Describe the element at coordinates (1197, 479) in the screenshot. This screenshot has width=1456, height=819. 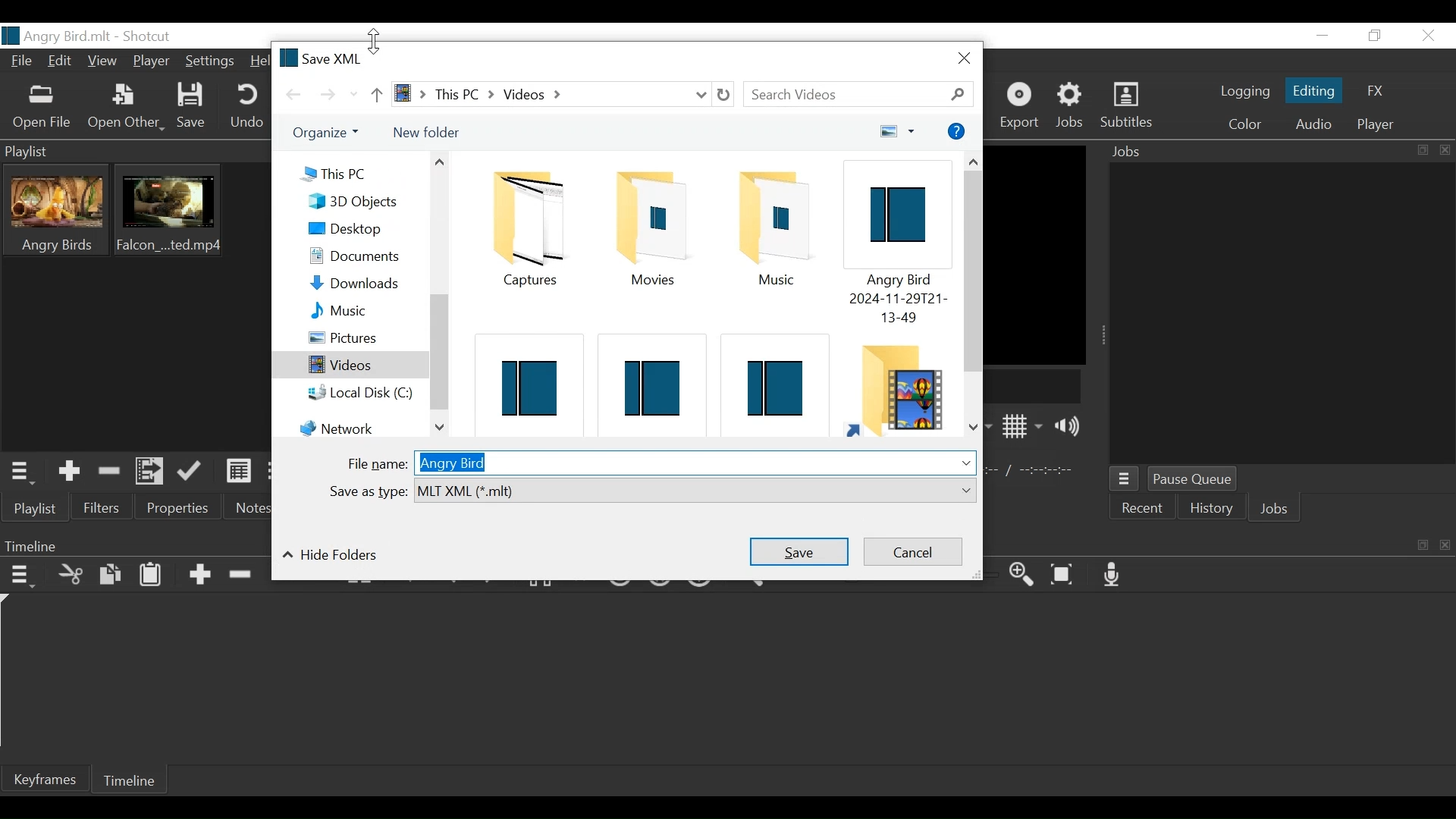
I see `Pause Queue` at that location.